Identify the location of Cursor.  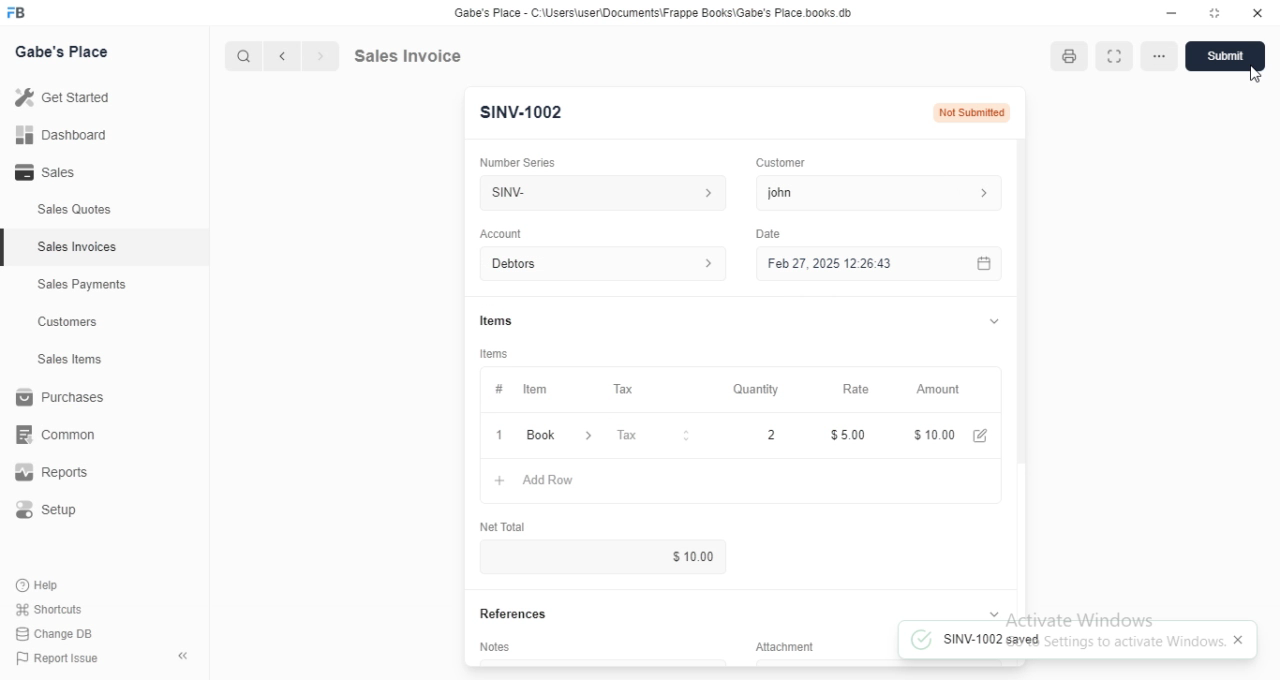
(1259, 73).